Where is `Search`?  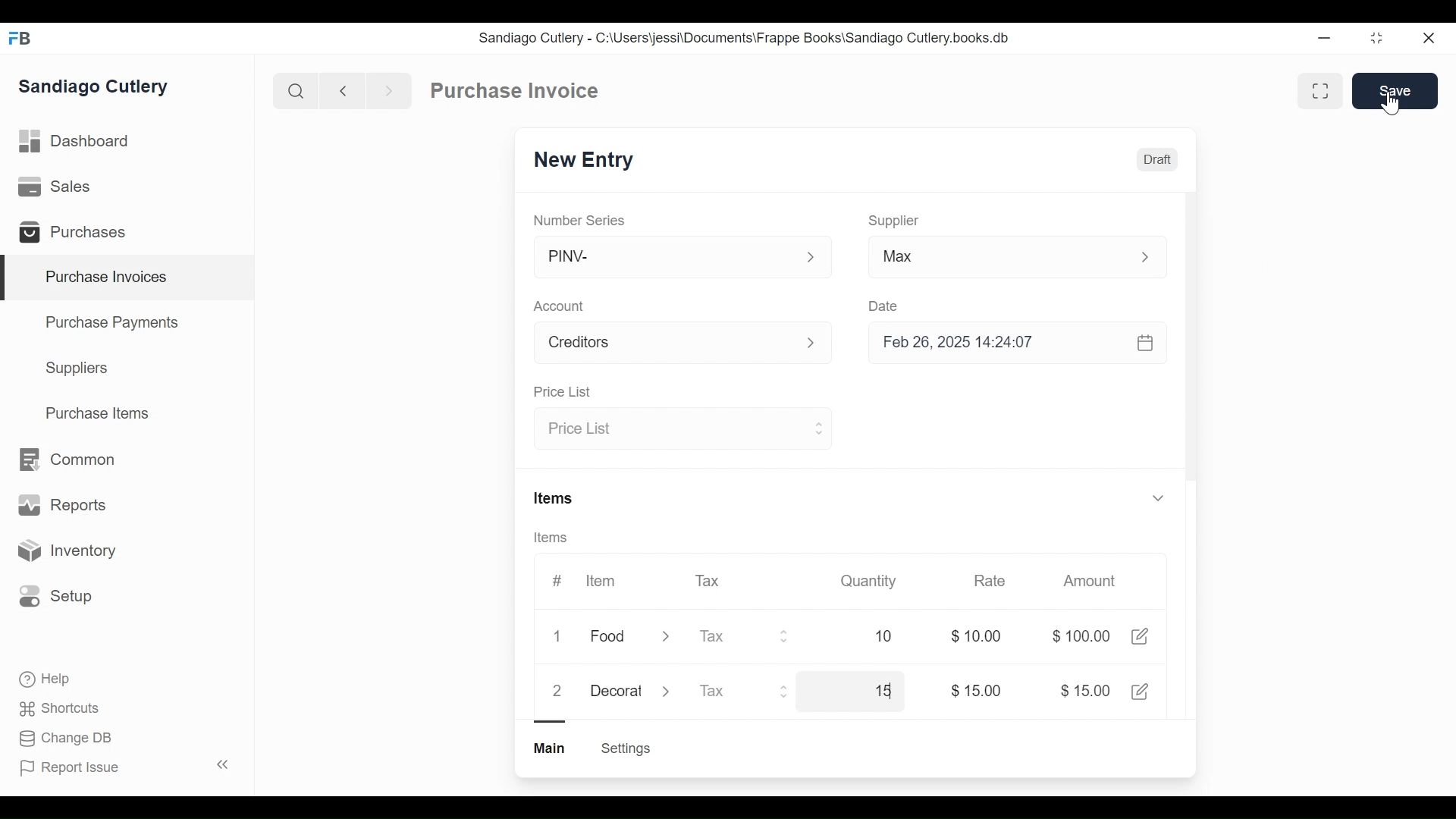 Search is located at coordinates (296, 90).